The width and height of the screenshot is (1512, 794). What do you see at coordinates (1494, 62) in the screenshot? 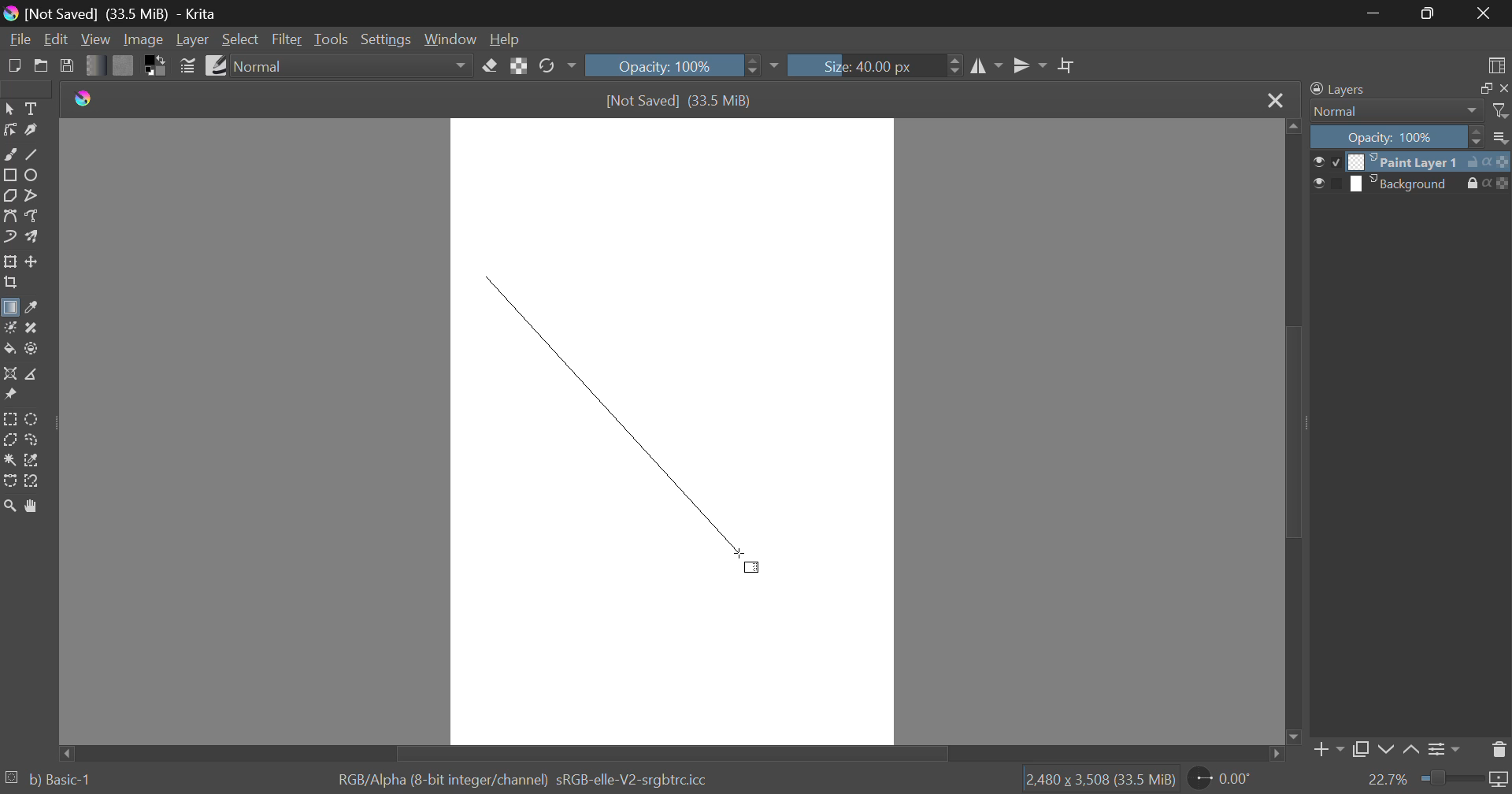
I see `Choose Workspace` at bounding box center [1494, 62].